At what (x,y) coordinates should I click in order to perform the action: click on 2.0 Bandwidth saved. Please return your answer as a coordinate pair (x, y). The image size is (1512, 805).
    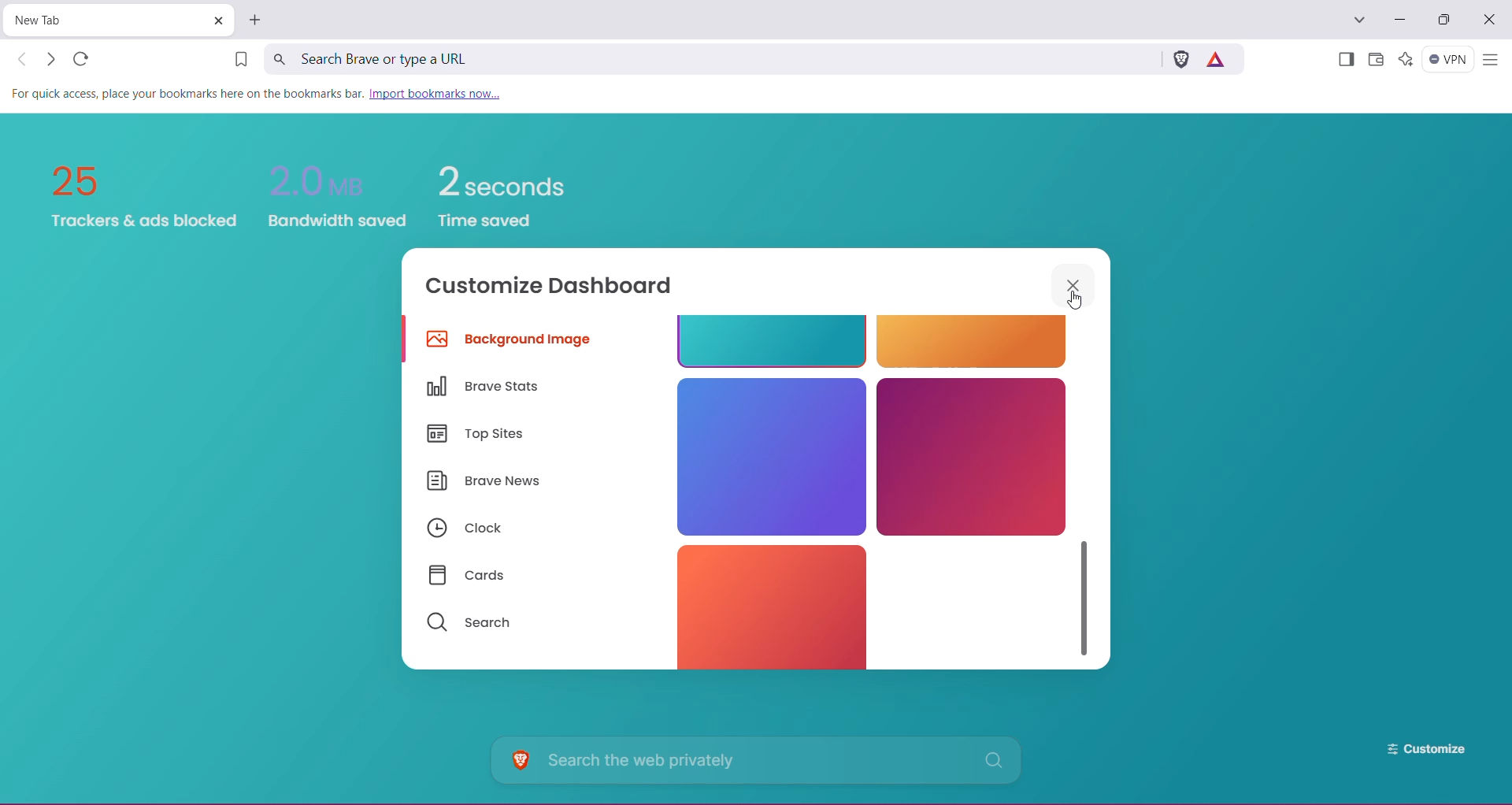
    Looking at the image, I should click on (335, 182).